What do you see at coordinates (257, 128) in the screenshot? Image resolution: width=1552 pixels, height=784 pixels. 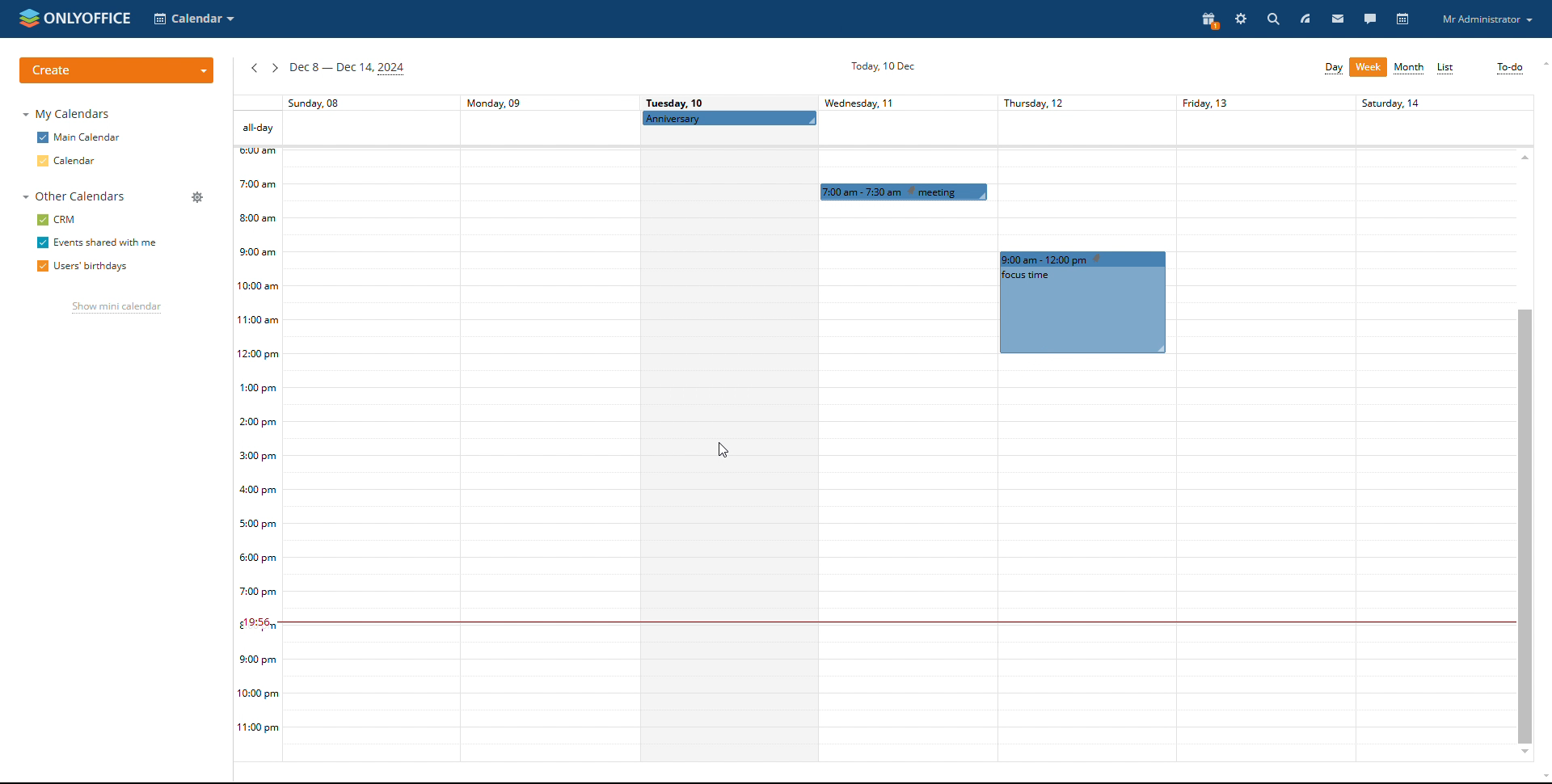 I see `all-day events` at bounding box center [257, 128].